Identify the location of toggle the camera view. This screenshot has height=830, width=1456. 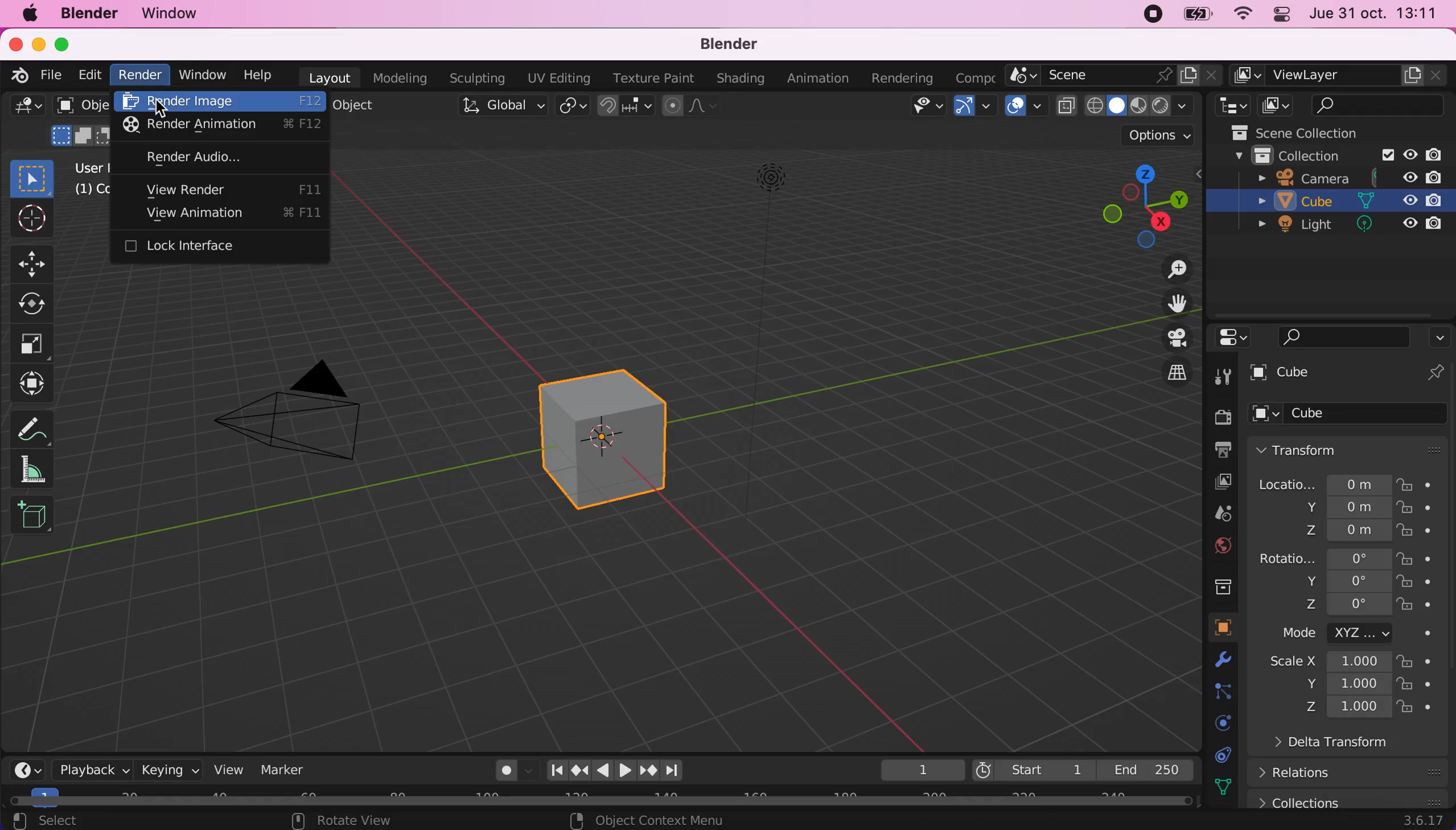
(1167, 338).